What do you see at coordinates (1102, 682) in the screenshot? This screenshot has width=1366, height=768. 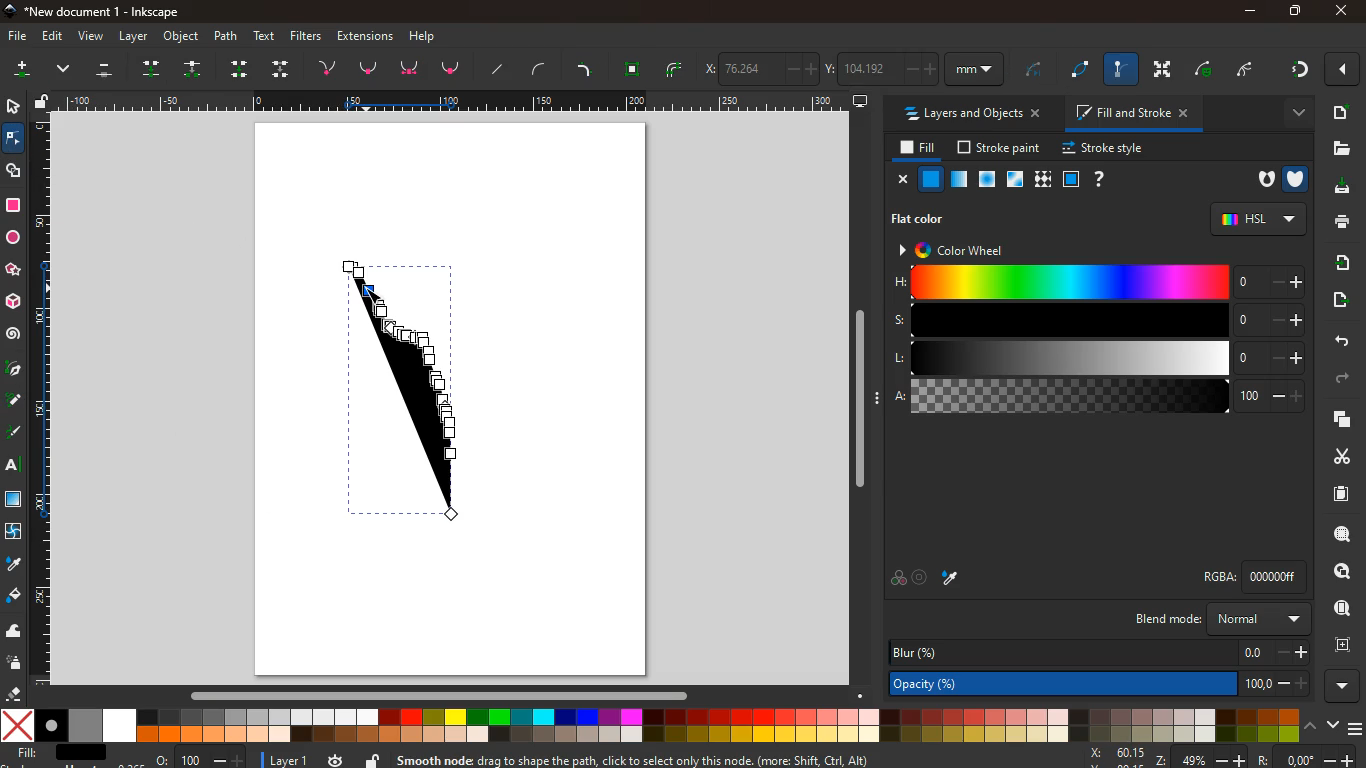 I see `opacity` at bounding box center [1102, 682].